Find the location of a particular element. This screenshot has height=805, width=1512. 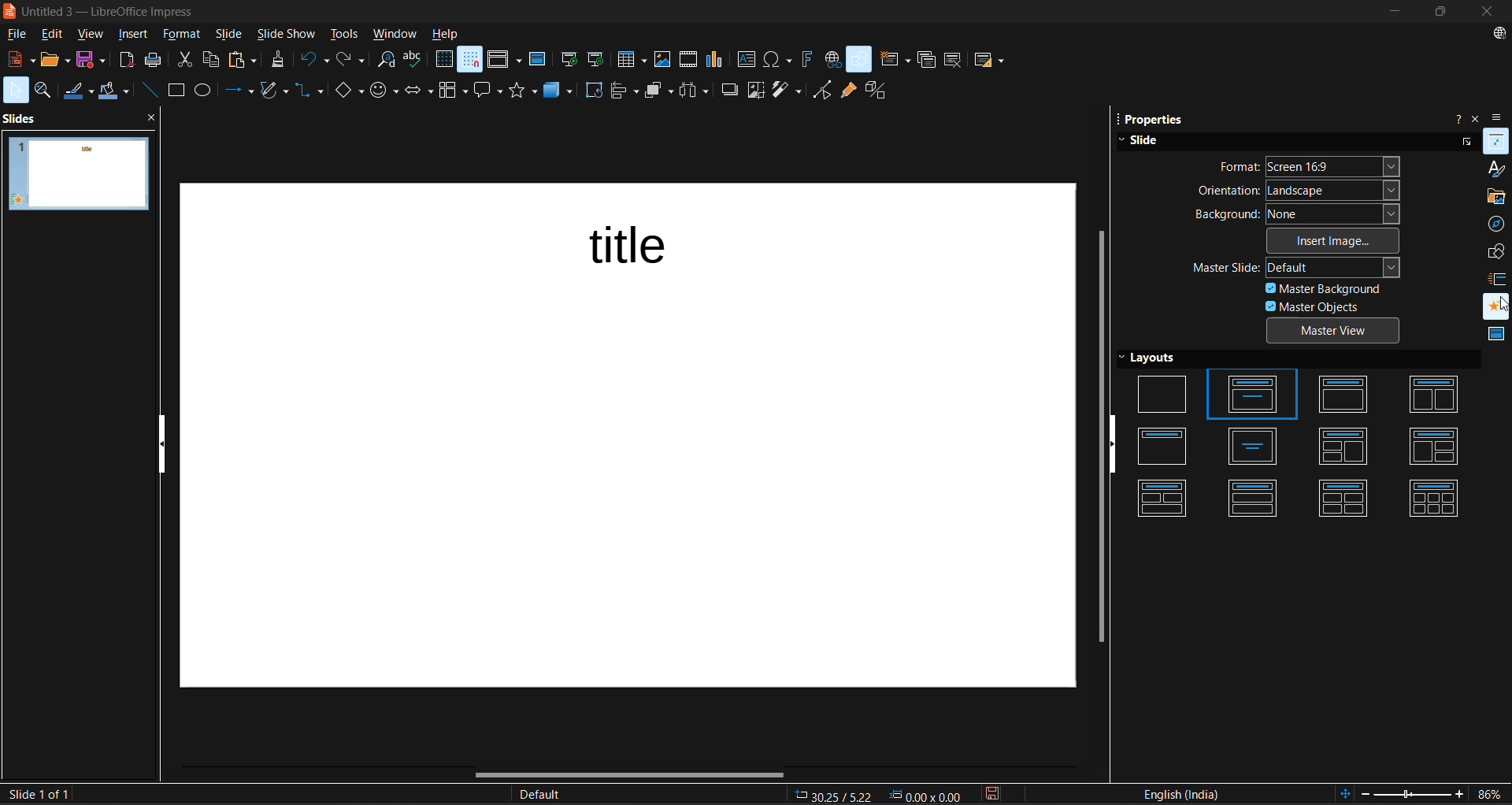

align objects is located at coordinates (626, 93).